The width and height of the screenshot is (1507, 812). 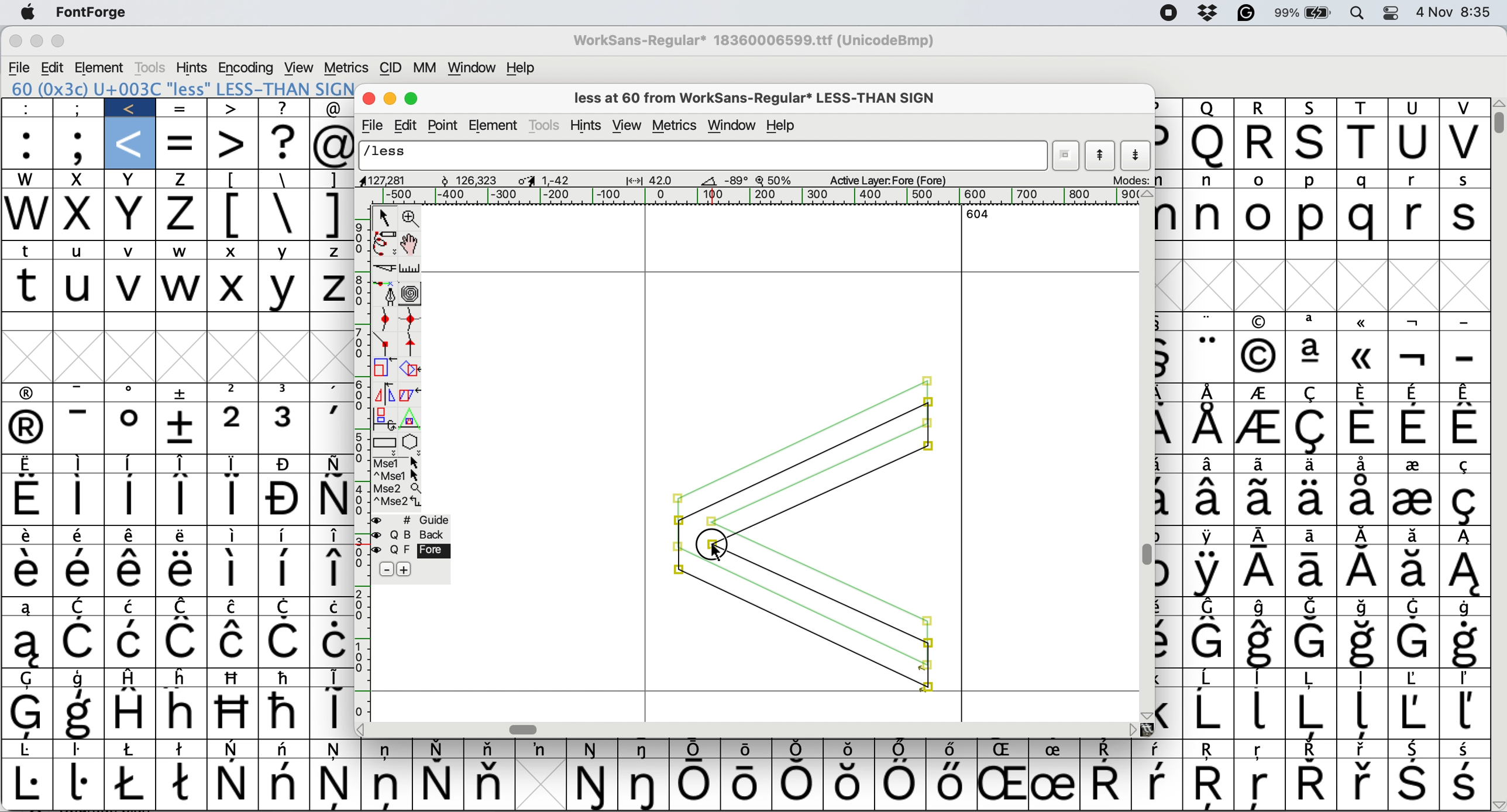 What do you see at coordinates (1364, 428) in the screenshot?
I see `Symbol` at bounding box center [1364, 428].